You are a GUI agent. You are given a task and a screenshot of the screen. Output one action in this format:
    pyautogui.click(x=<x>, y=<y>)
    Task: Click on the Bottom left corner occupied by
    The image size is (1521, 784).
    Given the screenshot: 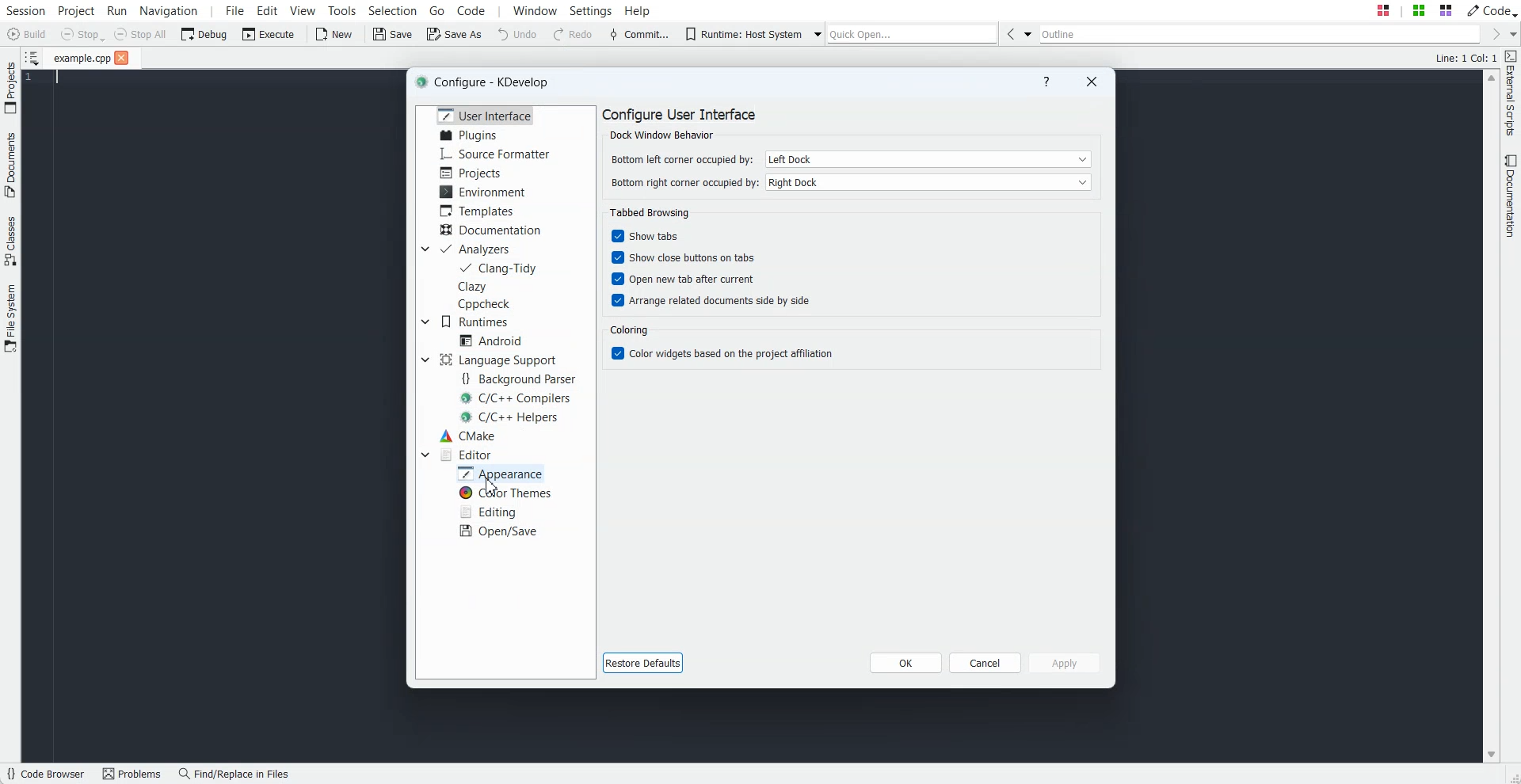 What is the action you would take?
    pyautogui.click(x=681, y=158)
    